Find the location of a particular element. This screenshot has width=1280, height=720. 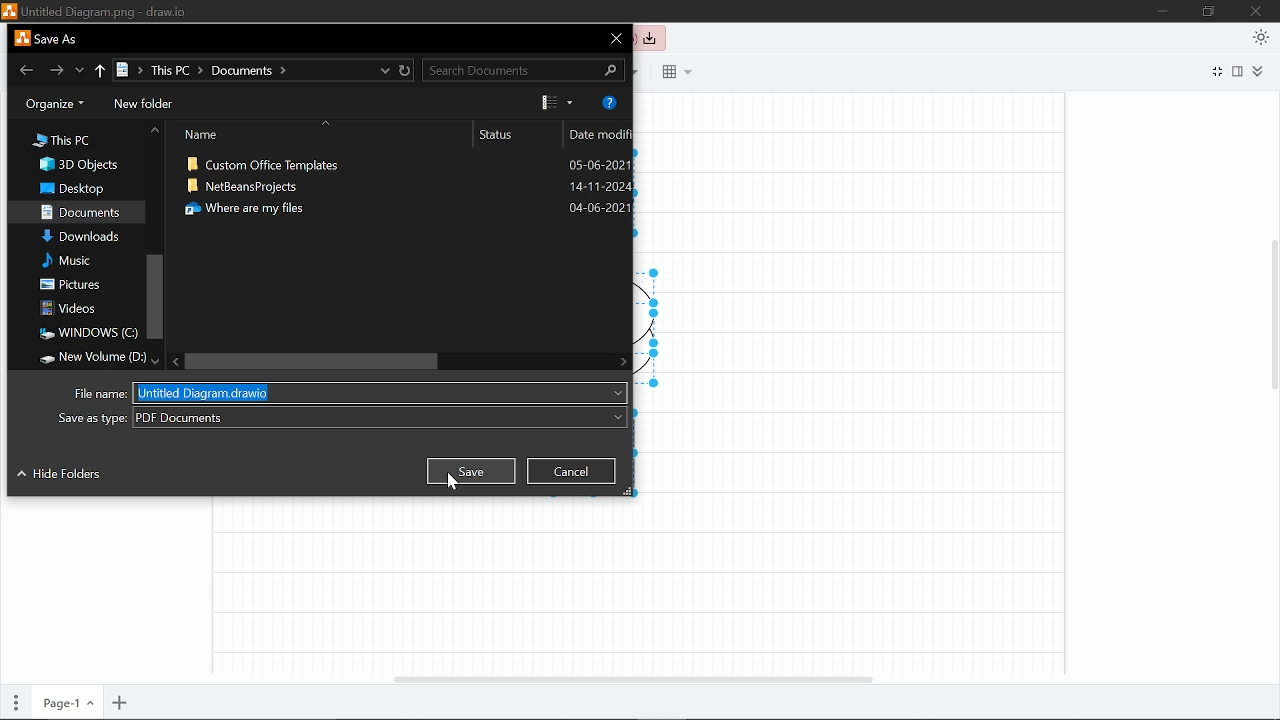

Horizomtal cursor is located at coordinates (632, 678).